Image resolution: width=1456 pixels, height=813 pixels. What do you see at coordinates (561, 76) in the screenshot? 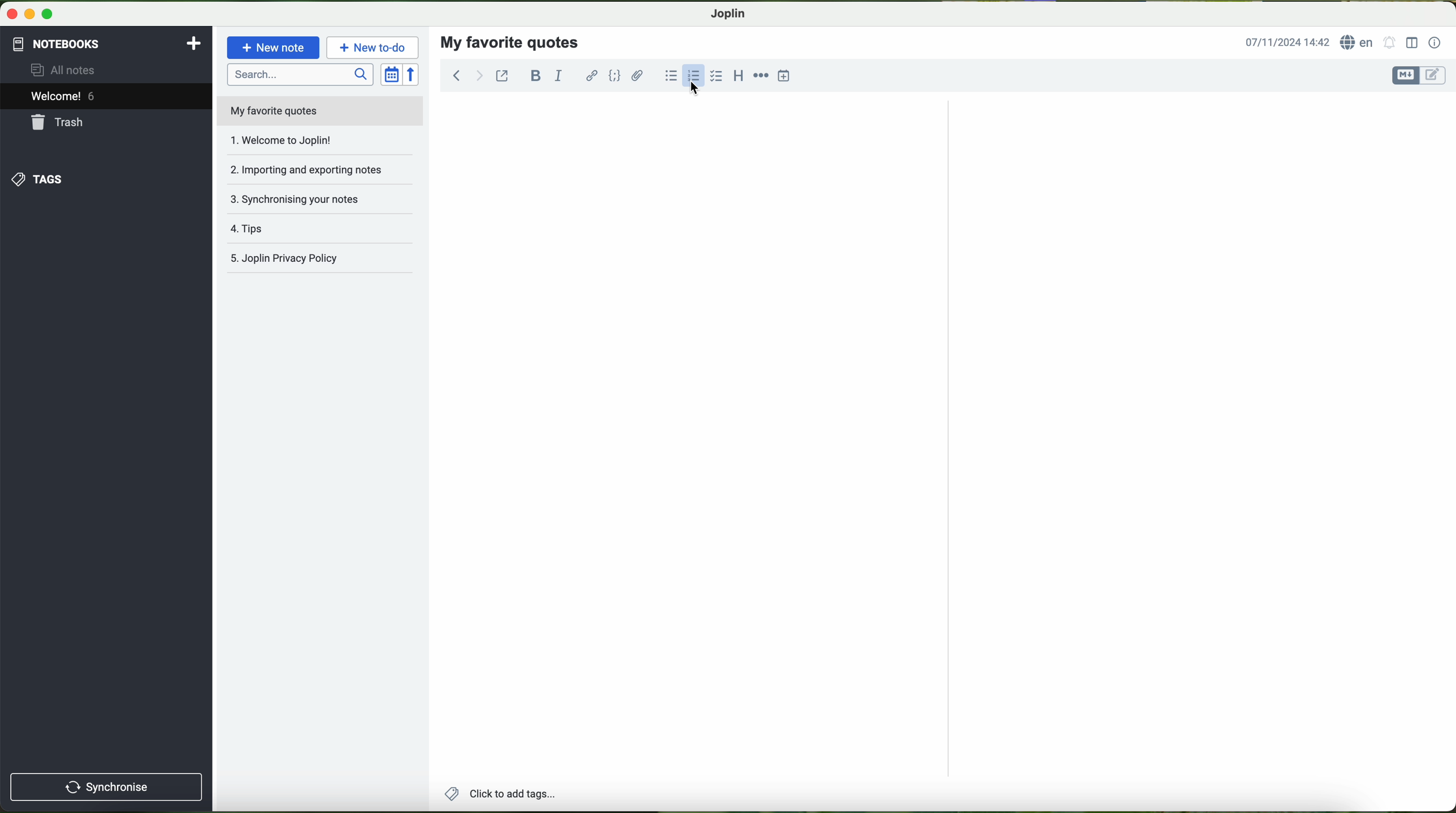
I see `italic` at bounding box center [561, 76].